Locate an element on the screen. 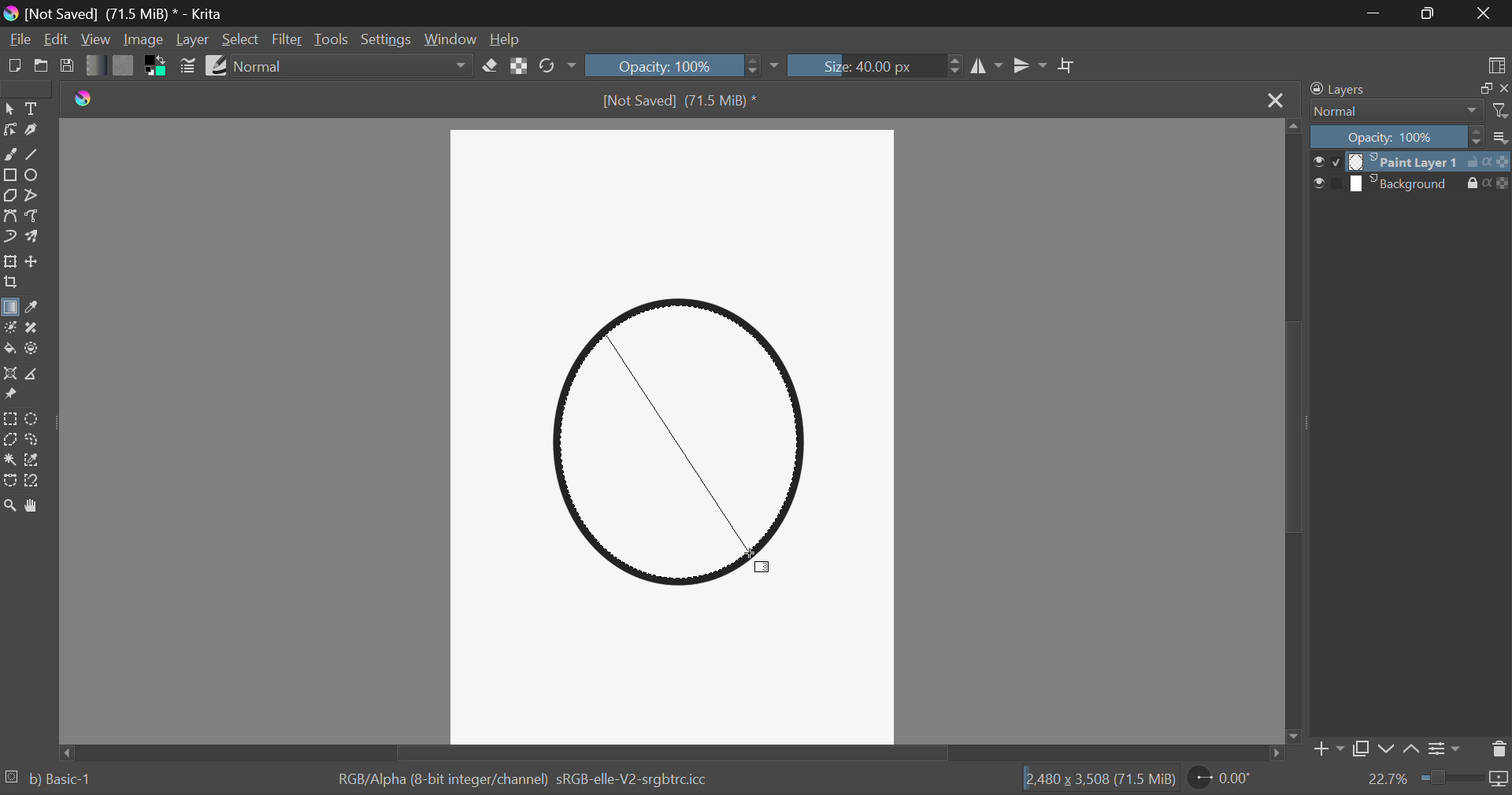 The height and width of the screenshot is (795, 1512). logo is located at coordinates (83, 101).